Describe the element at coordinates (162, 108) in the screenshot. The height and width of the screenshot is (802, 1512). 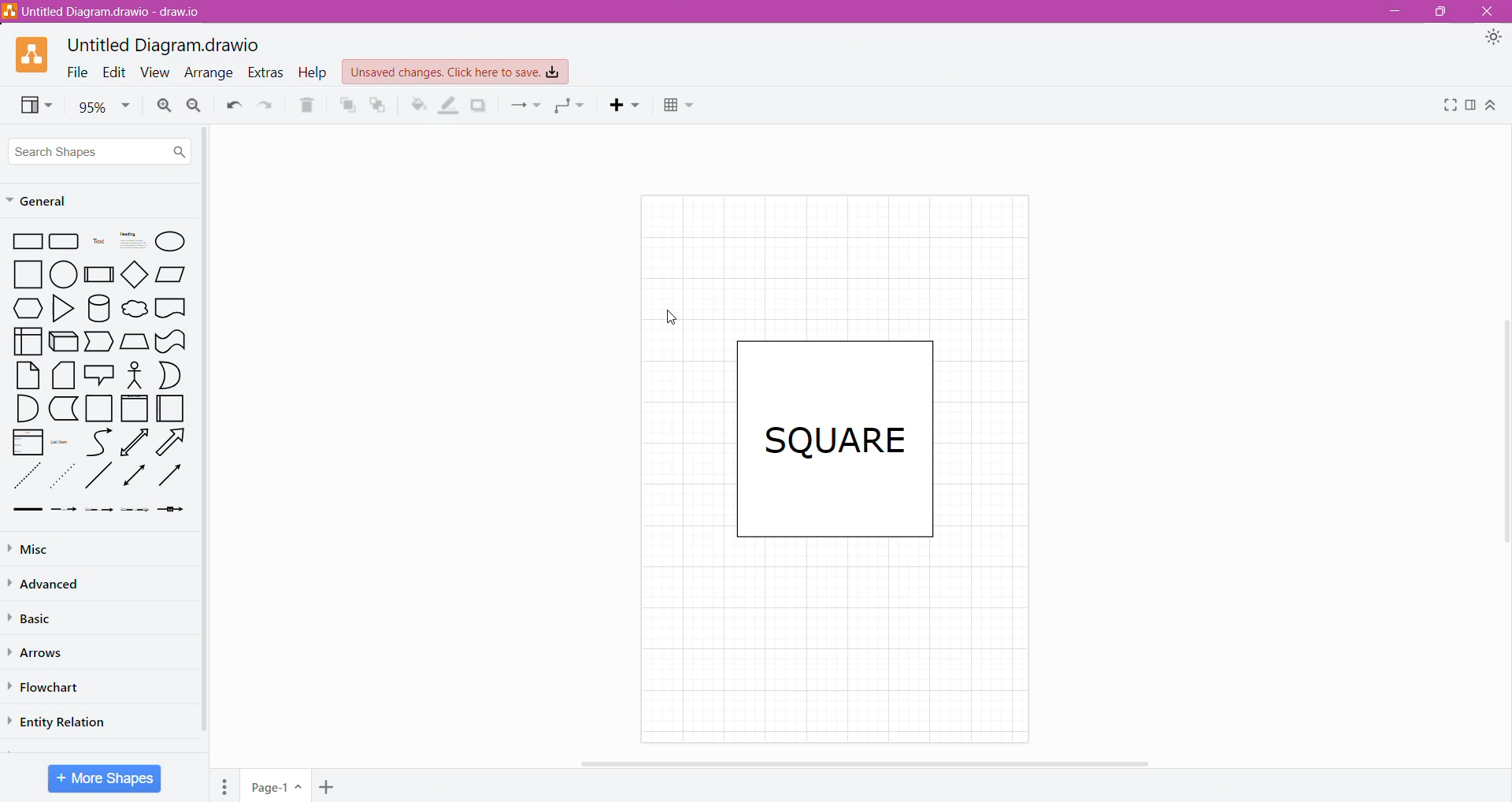
I see `Zoom In` at that location.